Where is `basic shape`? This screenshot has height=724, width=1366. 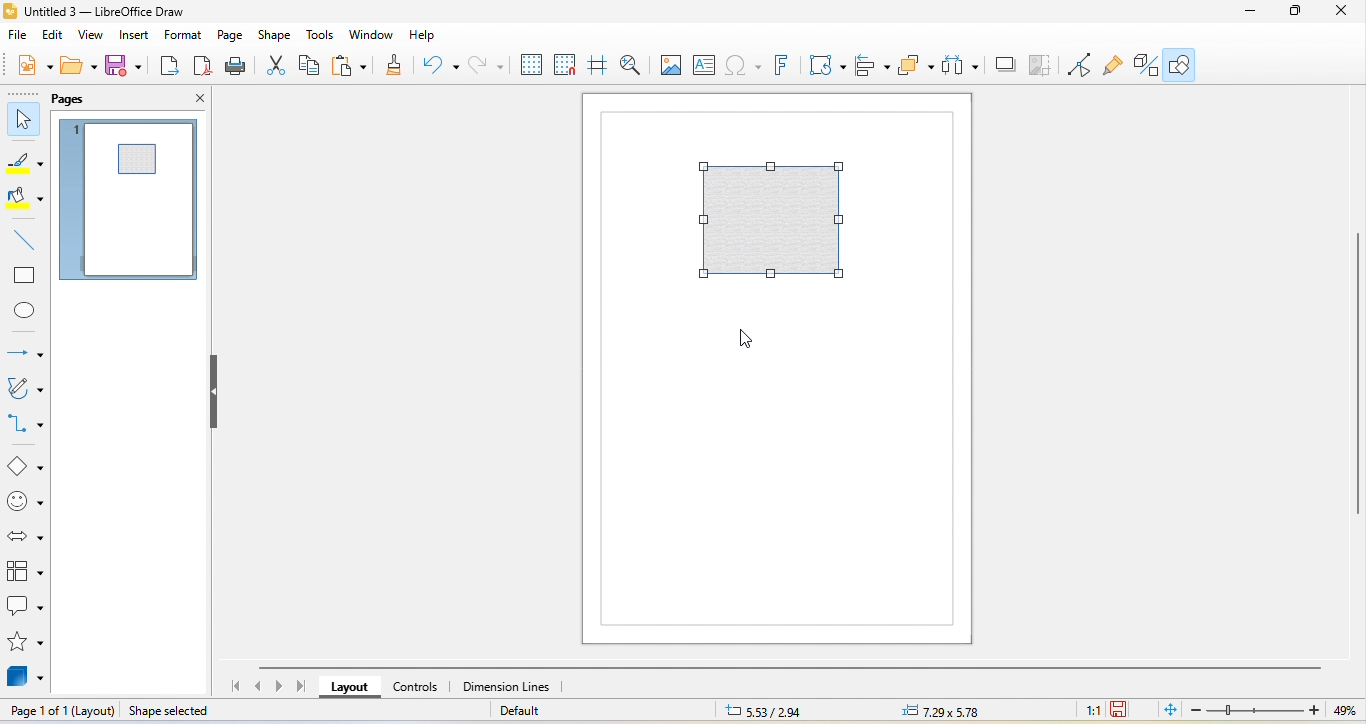 basic shape is located at coordinates (24, 464).